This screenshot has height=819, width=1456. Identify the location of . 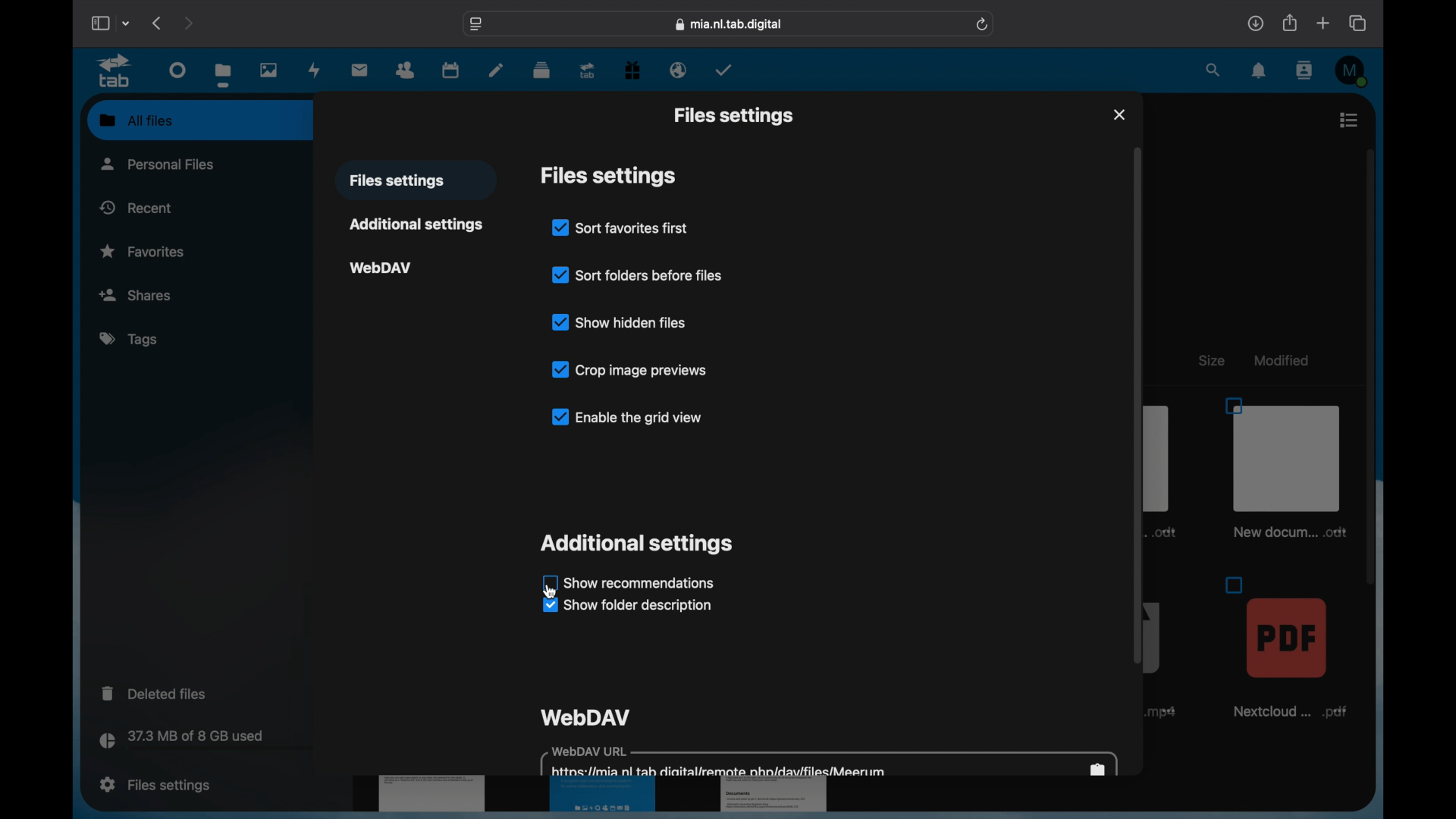
(1371, 347).